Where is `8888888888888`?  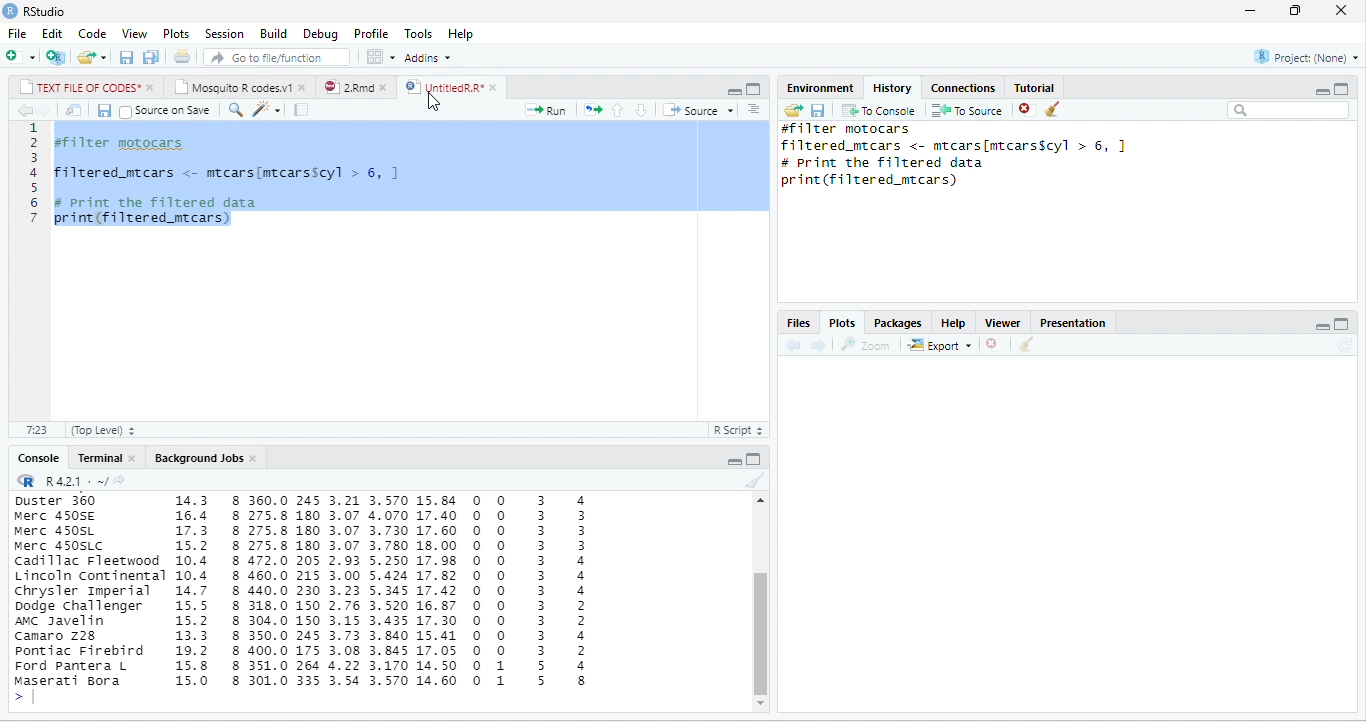
8888888888888 is located at coordinates (237, 591).